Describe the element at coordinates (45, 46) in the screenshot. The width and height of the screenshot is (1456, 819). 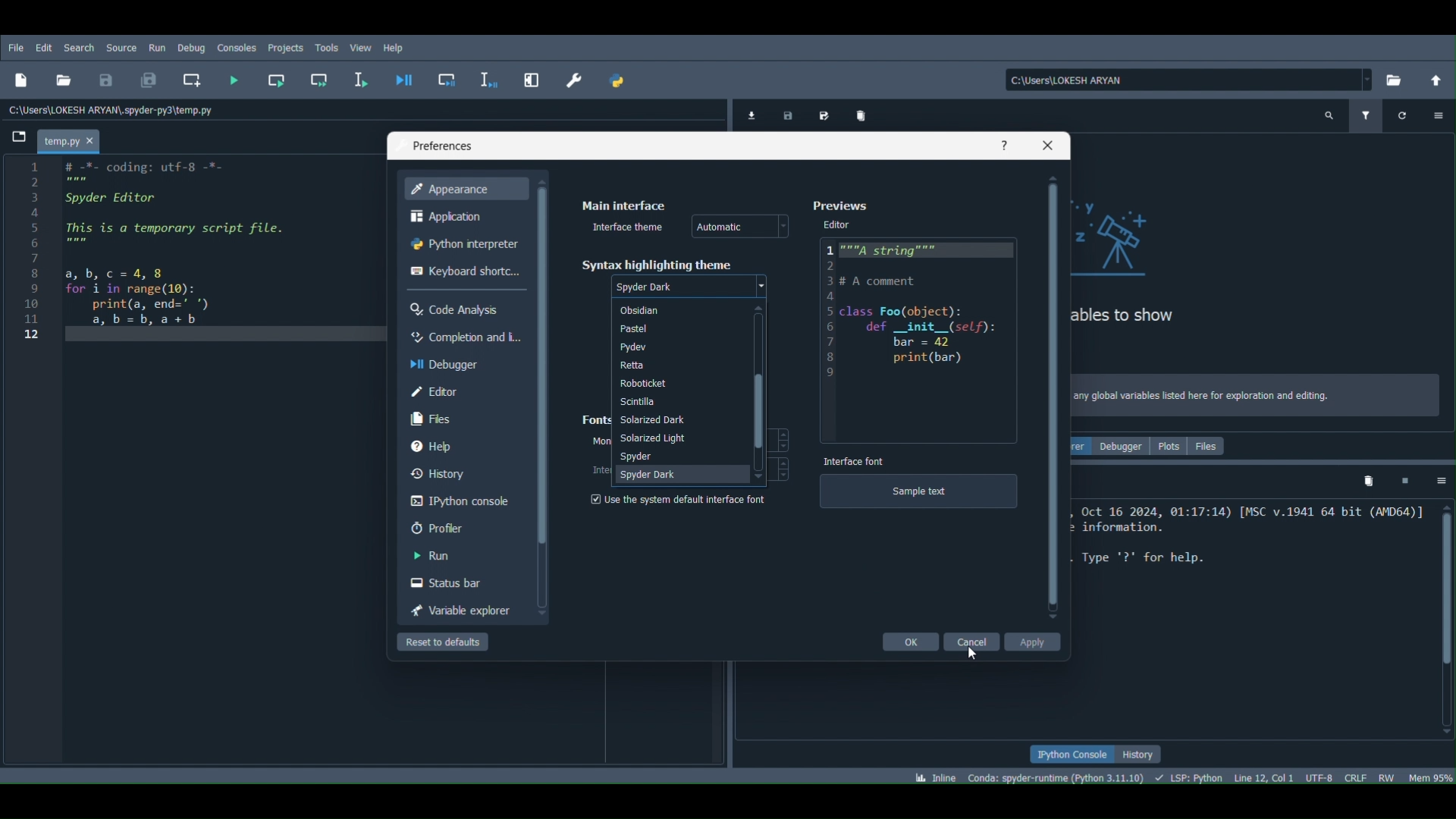
I see `Edit` at that location.